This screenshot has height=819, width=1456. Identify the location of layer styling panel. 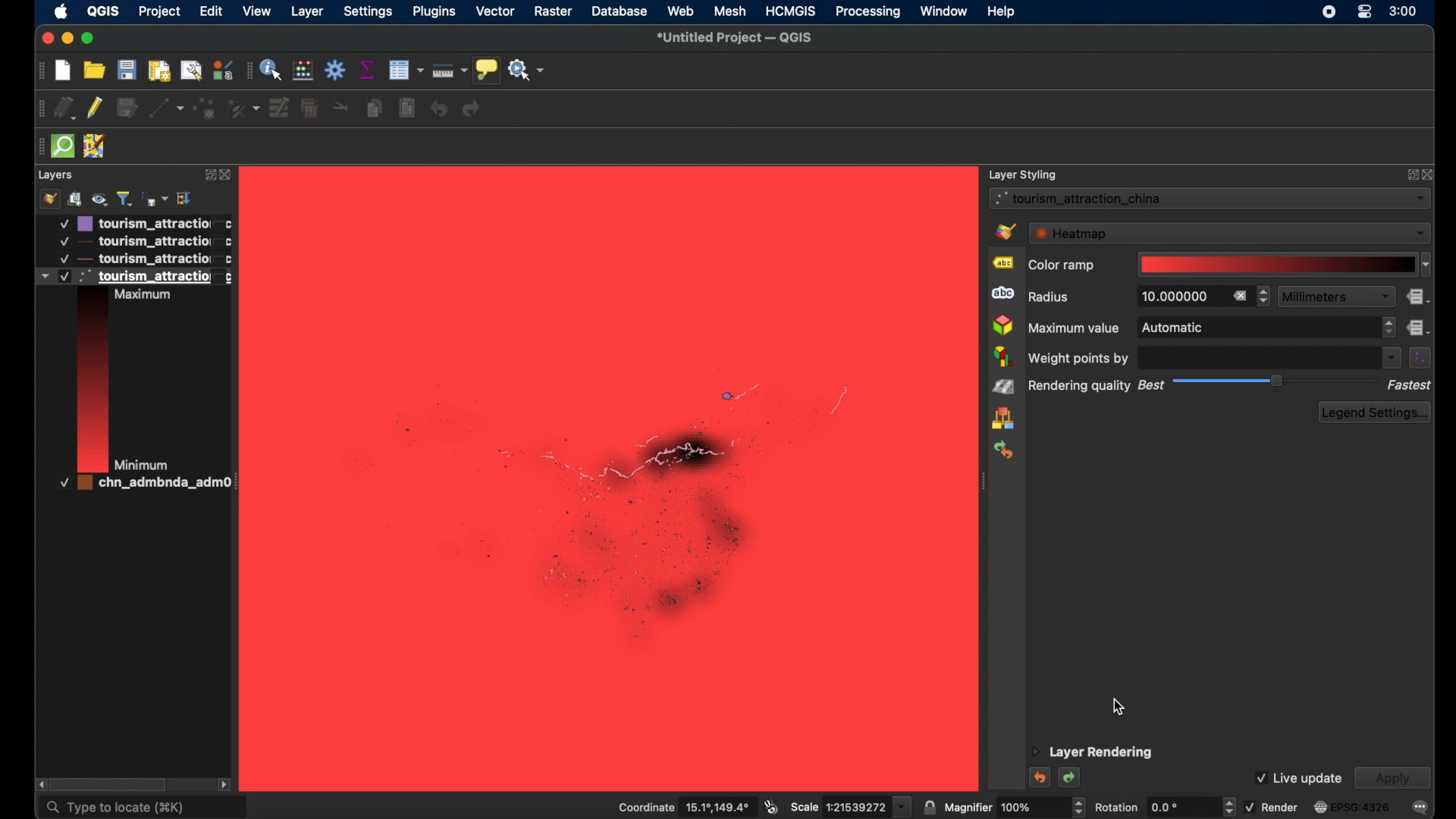
(1023, 173).